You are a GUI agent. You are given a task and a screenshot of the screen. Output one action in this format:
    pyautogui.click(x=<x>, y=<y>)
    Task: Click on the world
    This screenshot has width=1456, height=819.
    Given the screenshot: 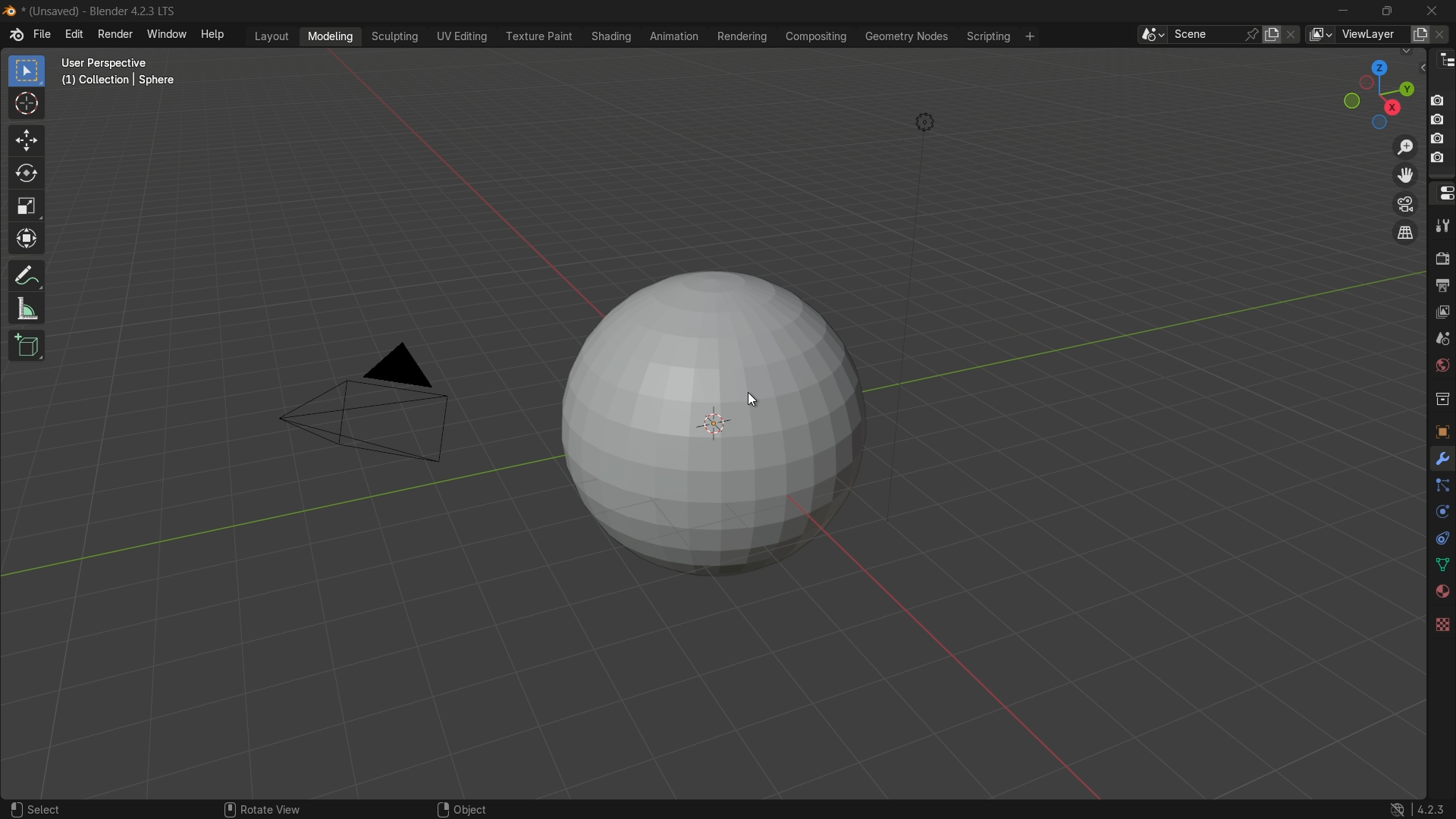 What is the action you would take?
    pyautogui.click(x=1442, y=367)
    